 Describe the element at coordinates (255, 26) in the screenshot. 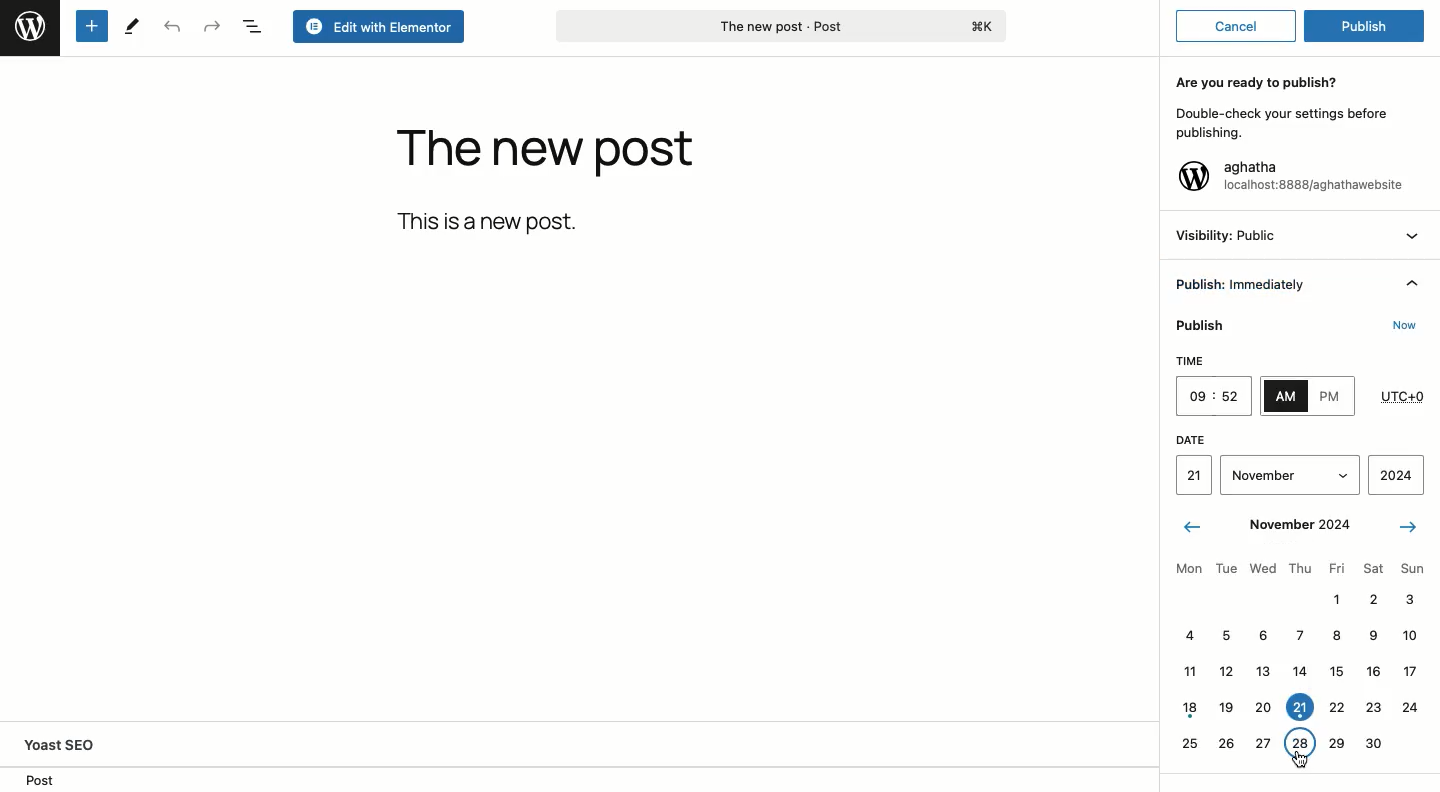

I see `Document overview` at that location.